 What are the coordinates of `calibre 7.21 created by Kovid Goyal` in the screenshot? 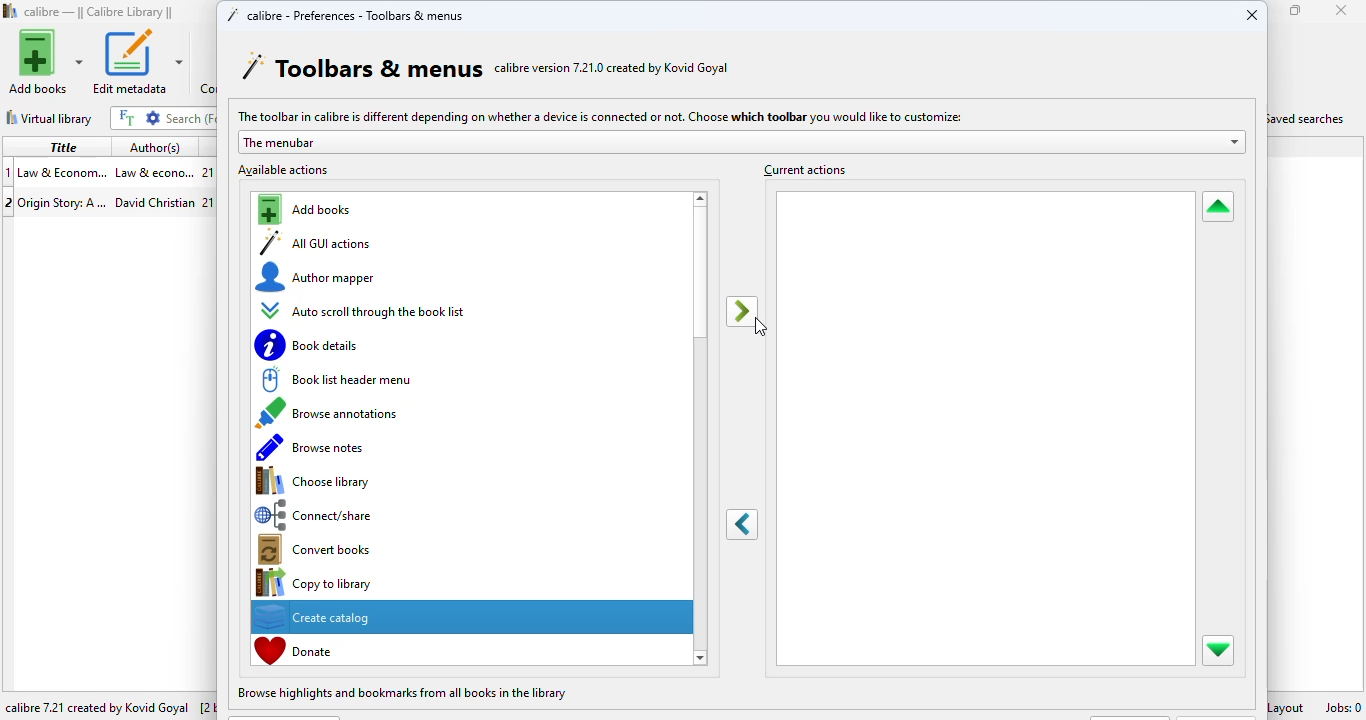 It's located at (98, 708).